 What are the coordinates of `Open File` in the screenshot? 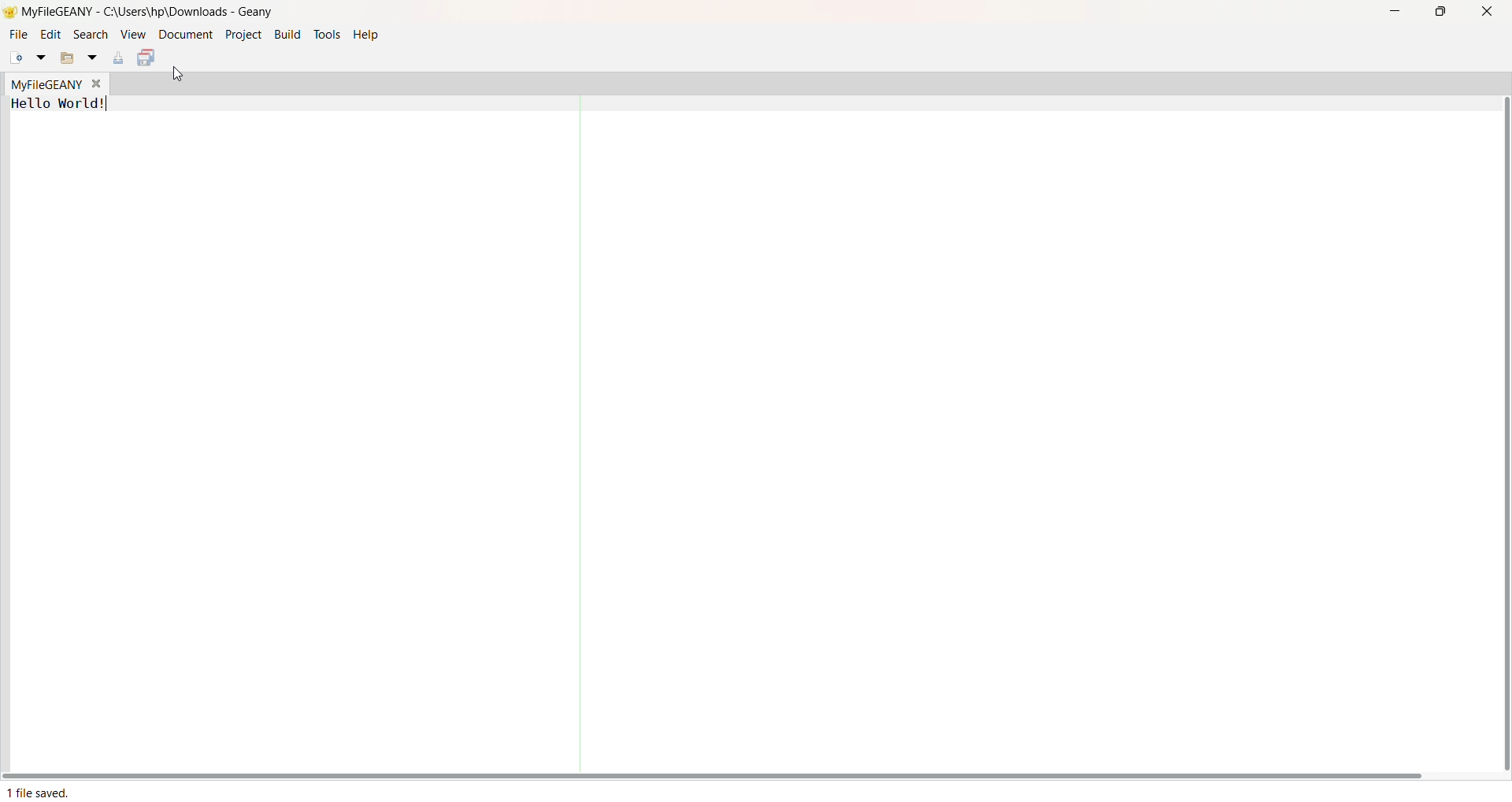 It's located at (67, 58).